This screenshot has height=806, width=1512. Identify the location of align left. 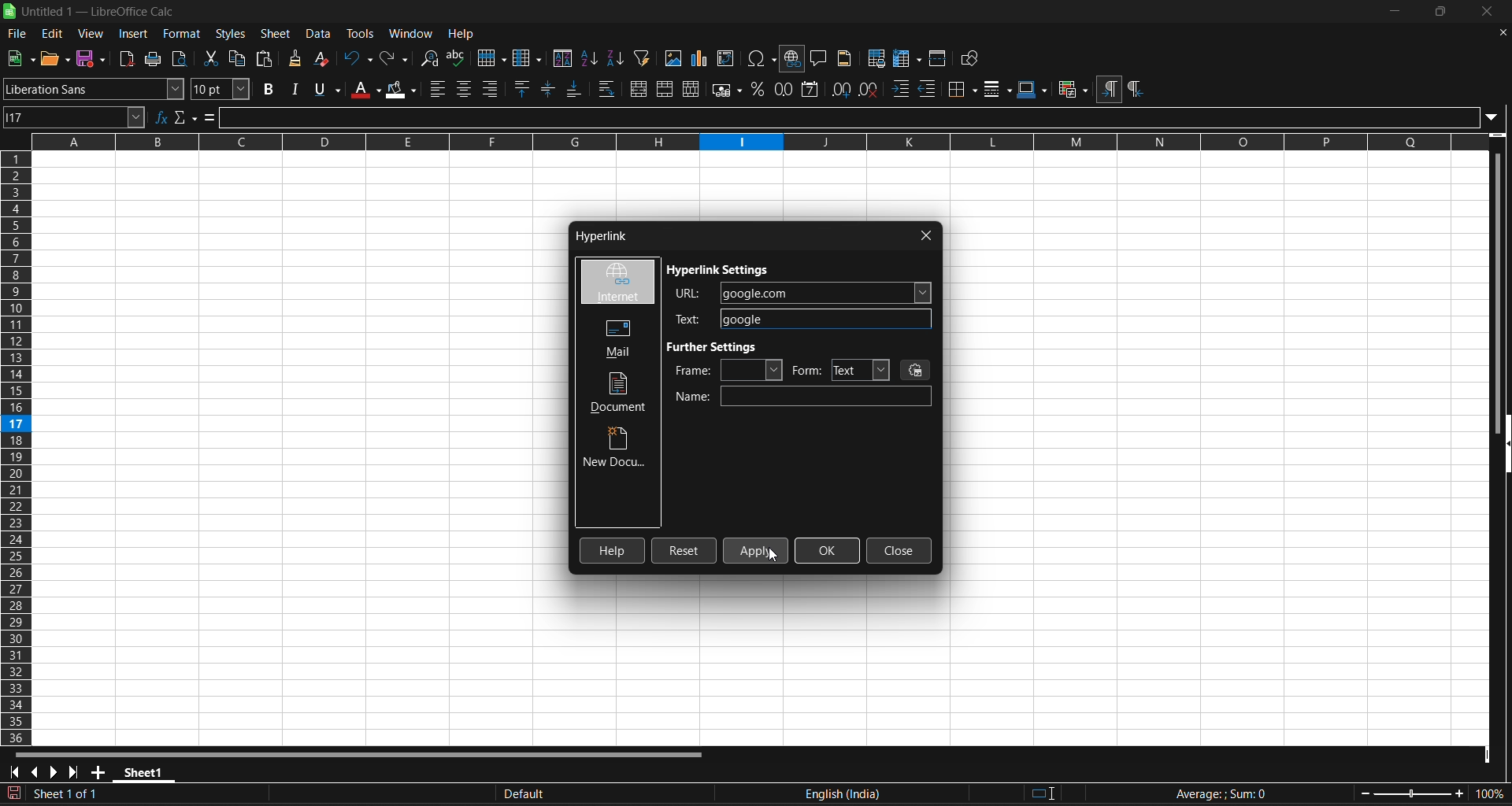
(439, 89).